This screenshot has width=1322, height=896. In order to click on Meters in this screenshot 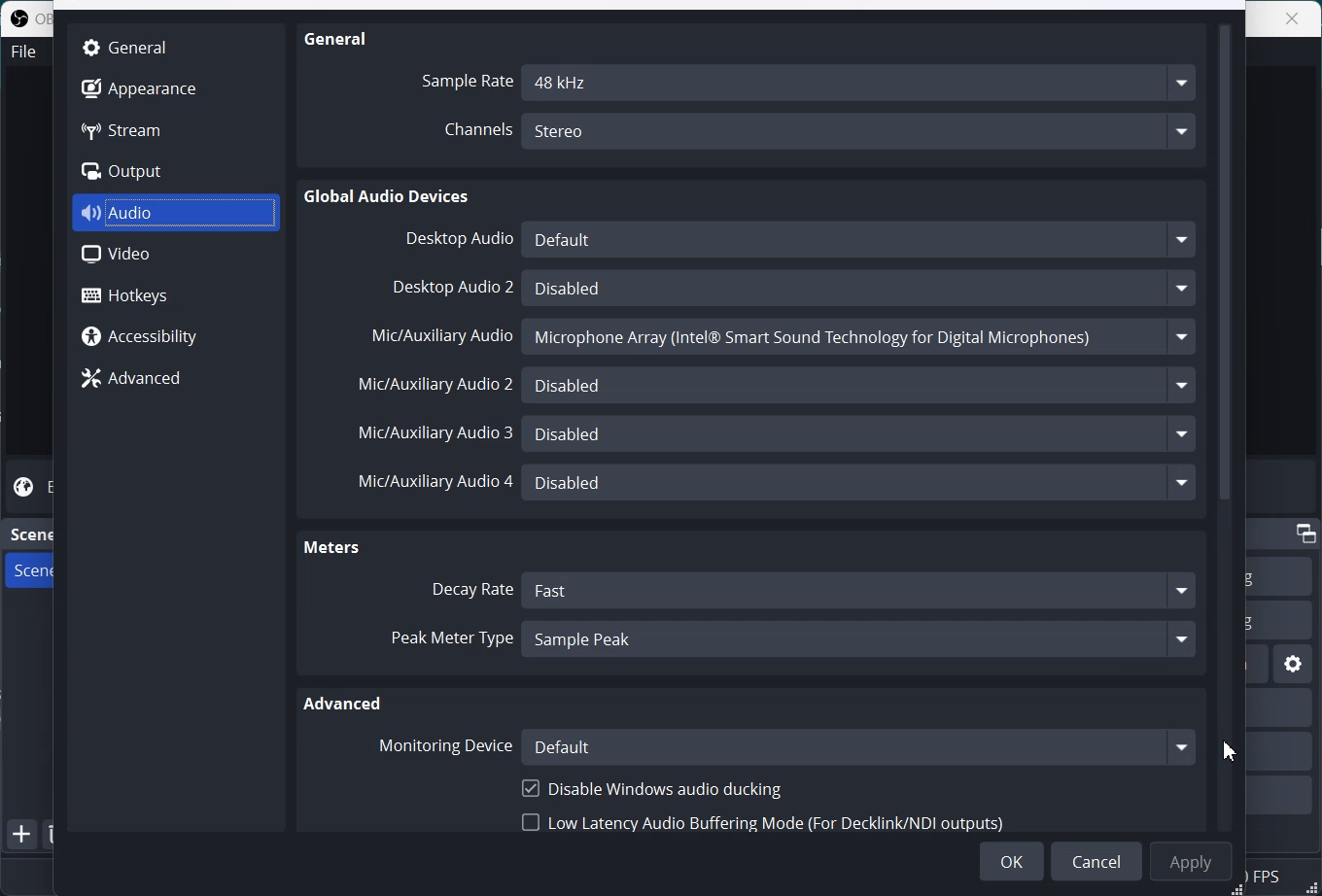, I will do `click(338, 548)`.